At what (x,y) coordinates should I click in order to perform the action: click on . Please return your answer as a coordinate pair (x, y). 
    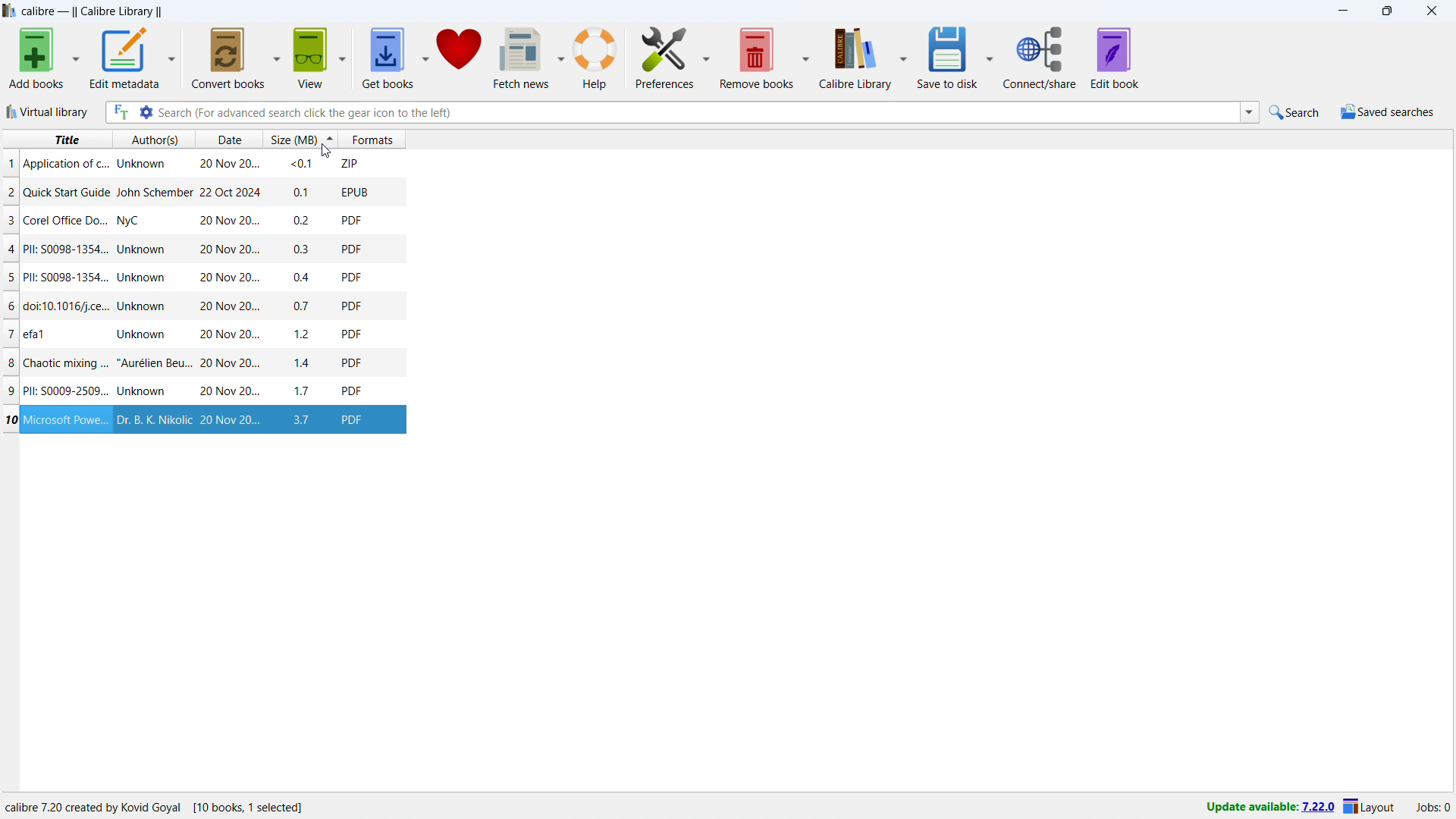
    Looking at the image, I should click on (125, 58).